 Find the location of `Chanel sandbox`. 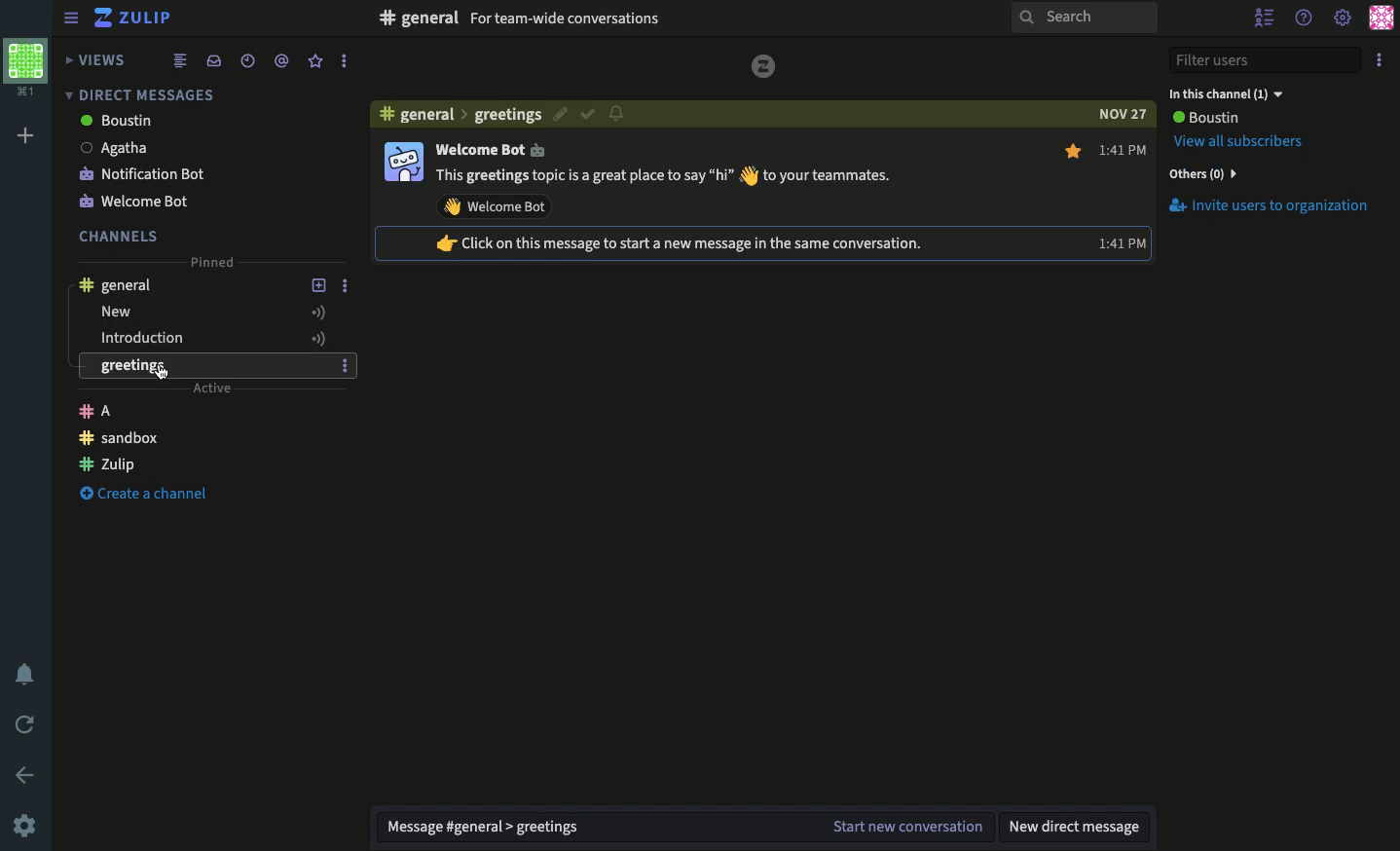

Chanel sandbox is located at coordinates (205, 439).